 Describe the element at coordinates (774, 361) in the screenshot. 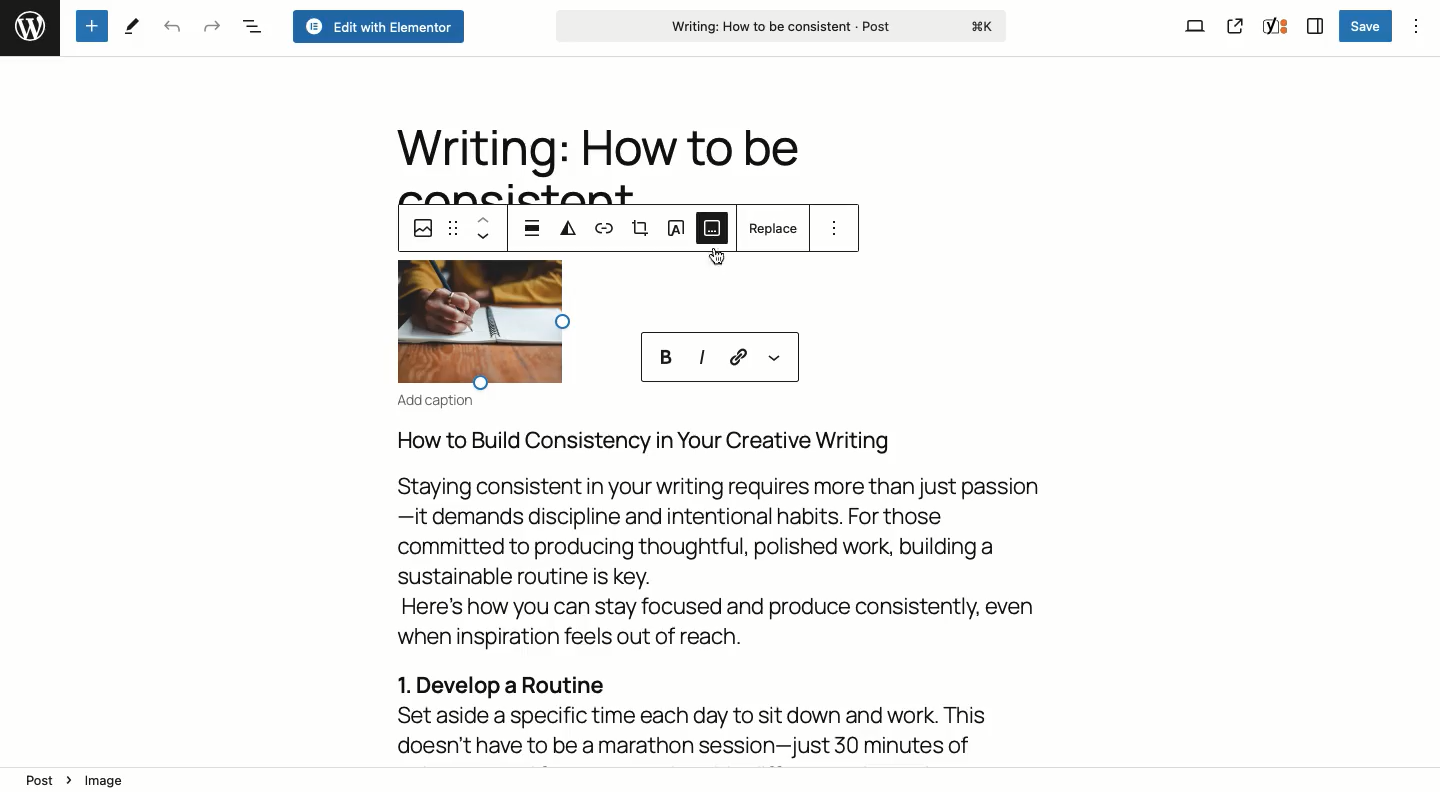

I see `More` at that location.